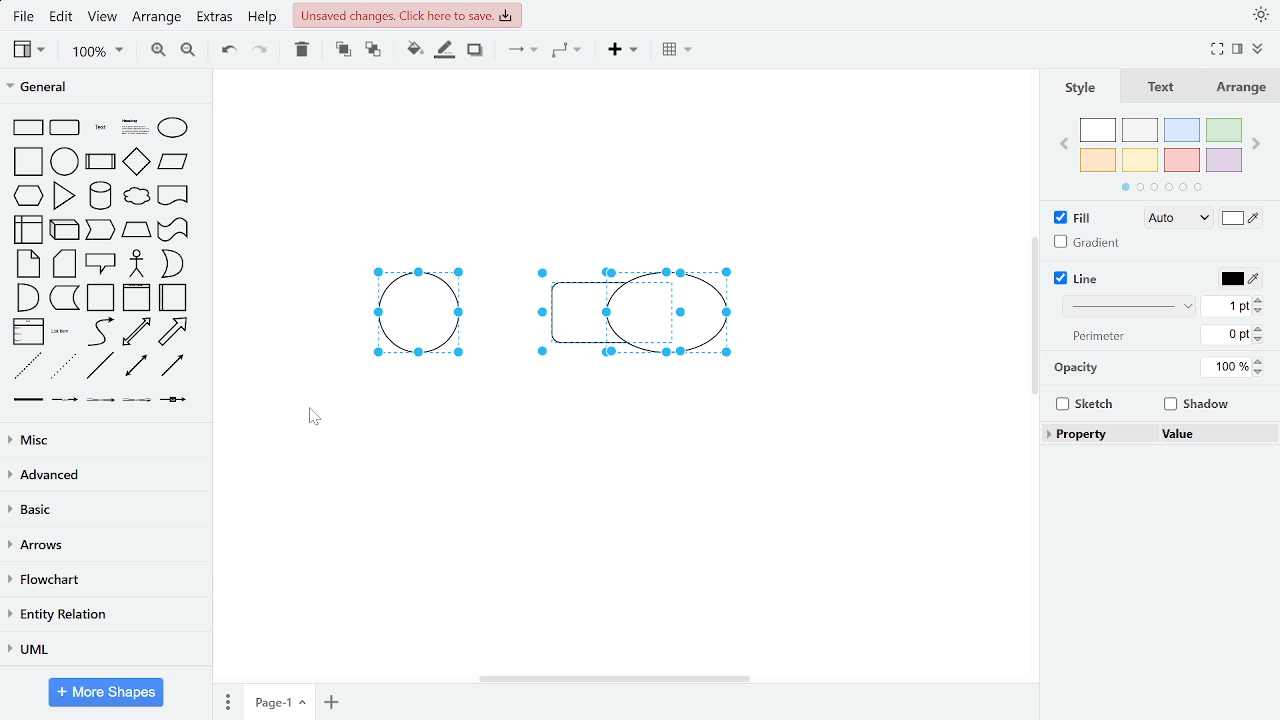  What do you see at coordinates (174, 367) in the screenshot?
I see `directional connector` at bounding box center [174, 367].